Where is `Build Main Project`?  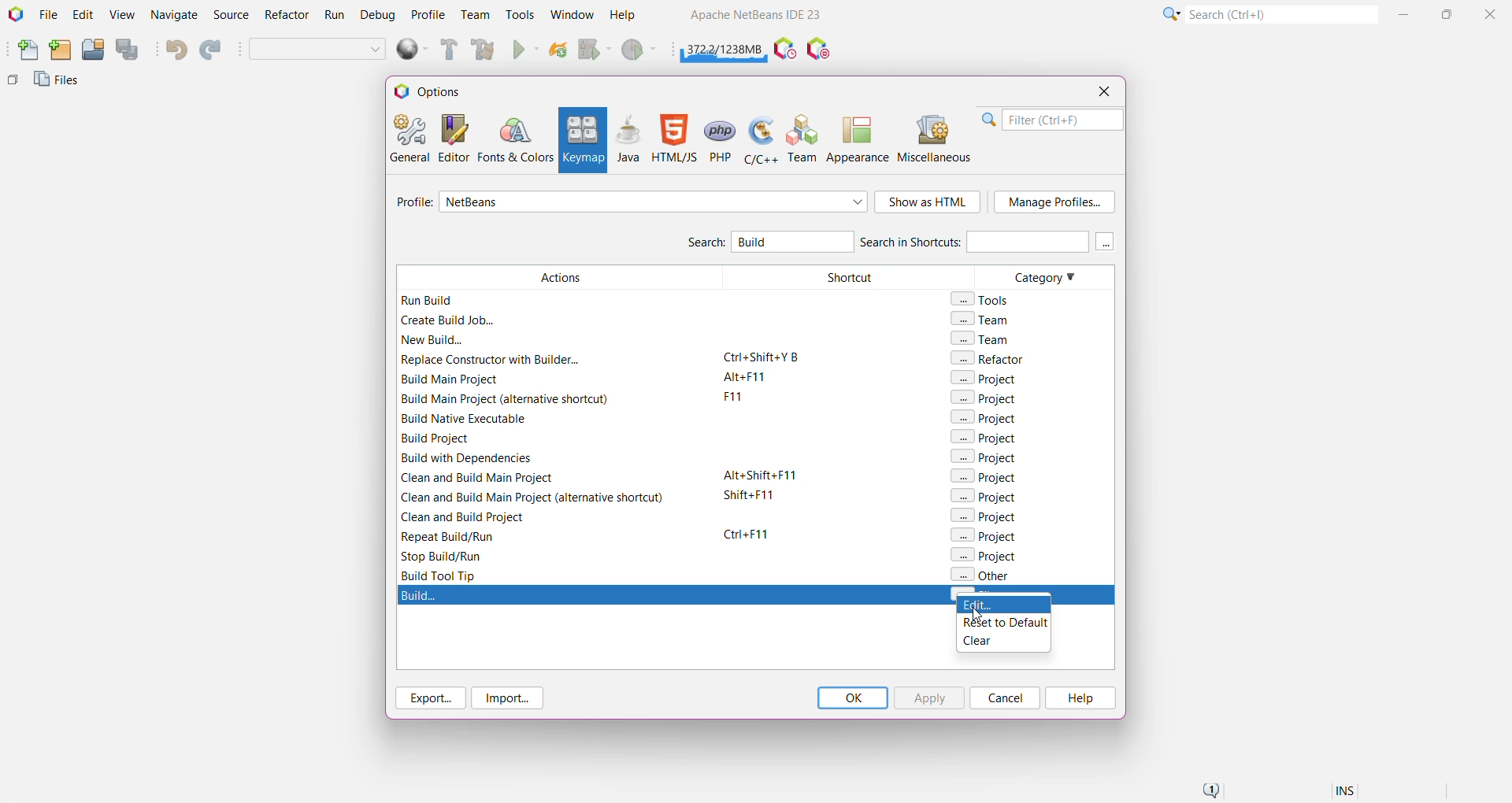 Build Main Project is located at coordinates (447, 50).